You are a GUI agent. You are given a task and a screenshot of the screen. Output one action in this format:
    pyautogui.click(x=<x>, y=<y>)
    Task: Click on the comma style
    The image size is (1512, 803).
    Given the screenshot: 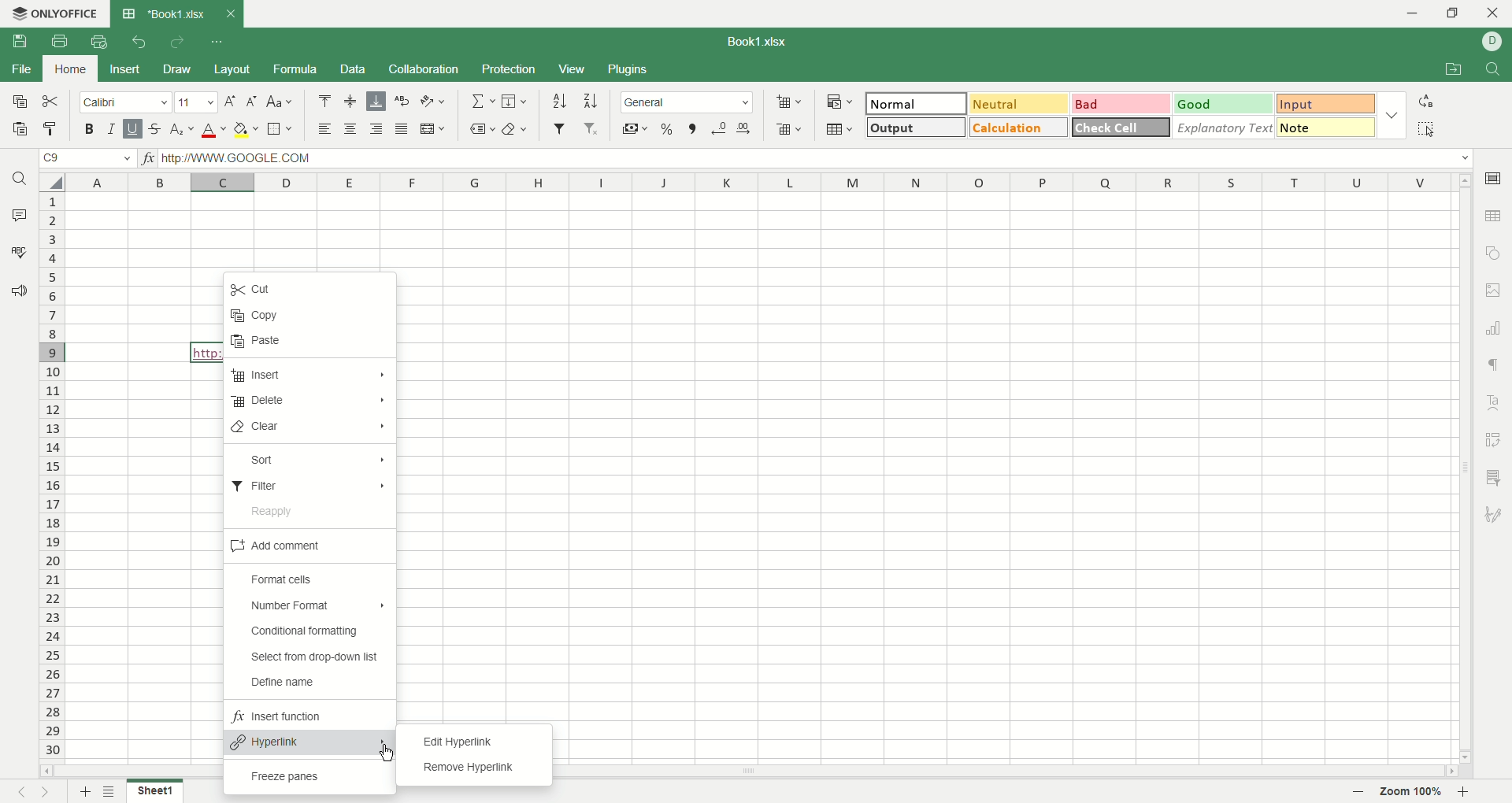 What is the action you would take?
    pyautogui.click(x=693, y=128)
    